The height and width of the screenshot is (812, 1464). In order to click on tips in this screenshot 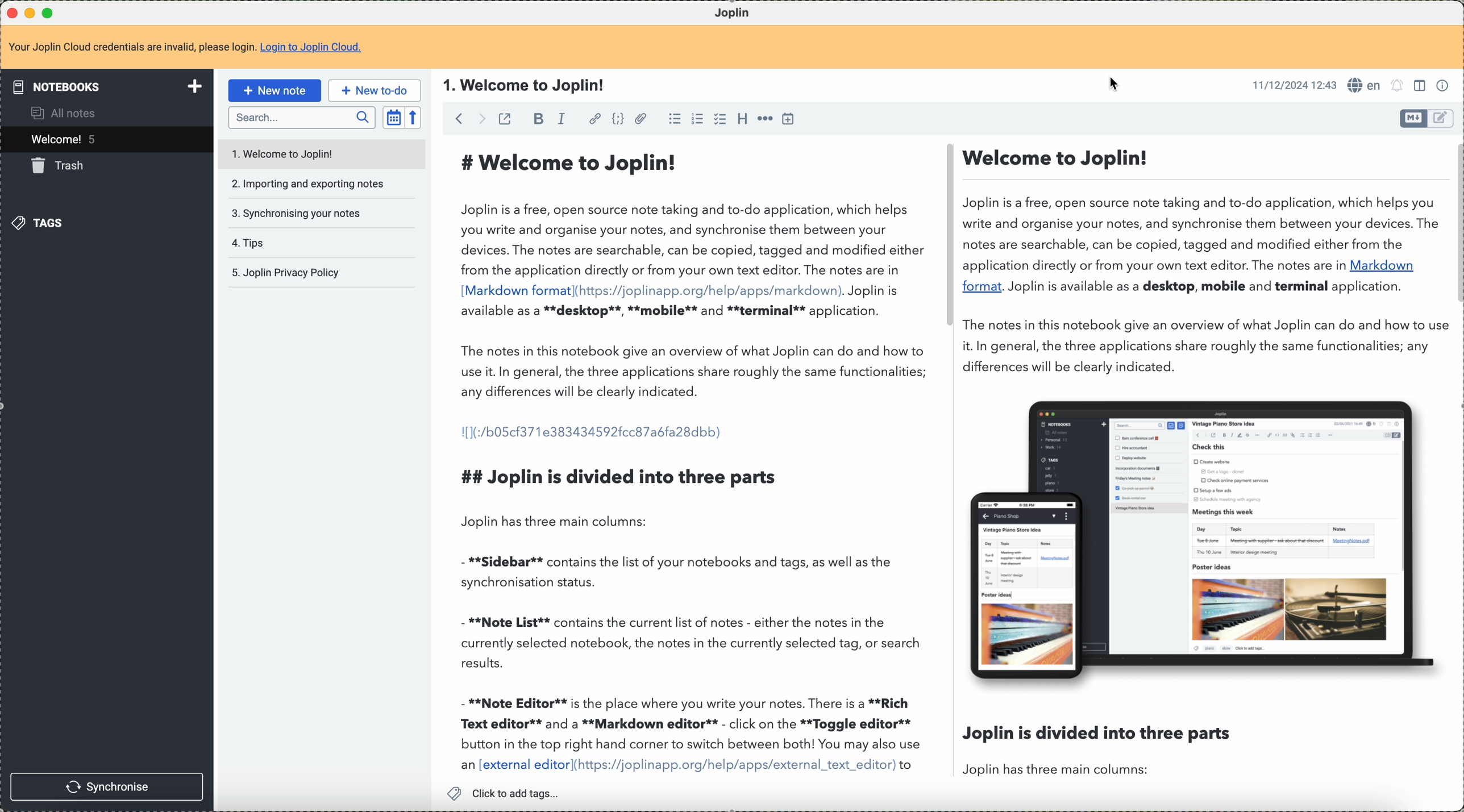, I will do `click(248, 241)`.